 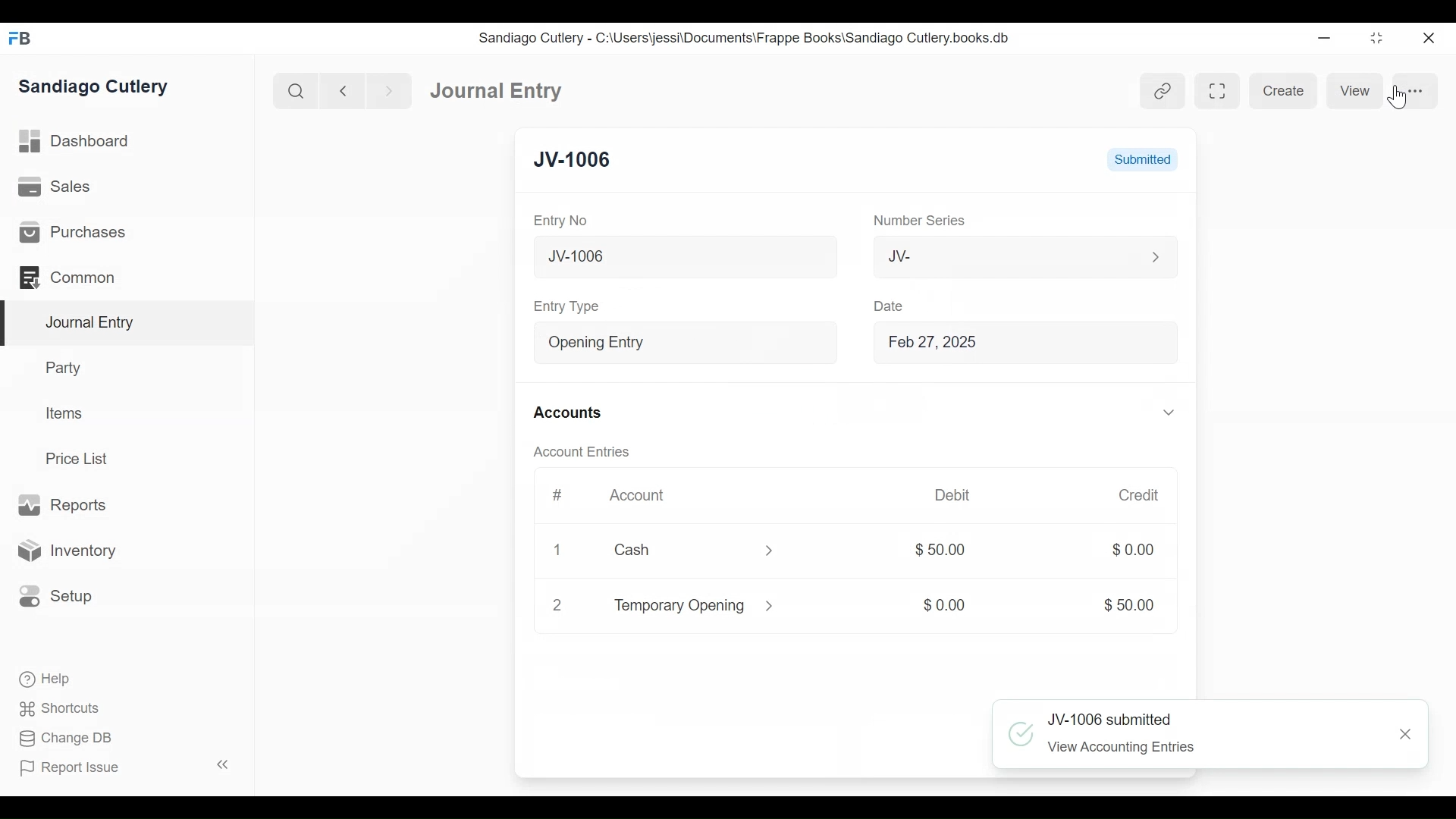 I want to click on Report Issue, so click(x=71, y=768).